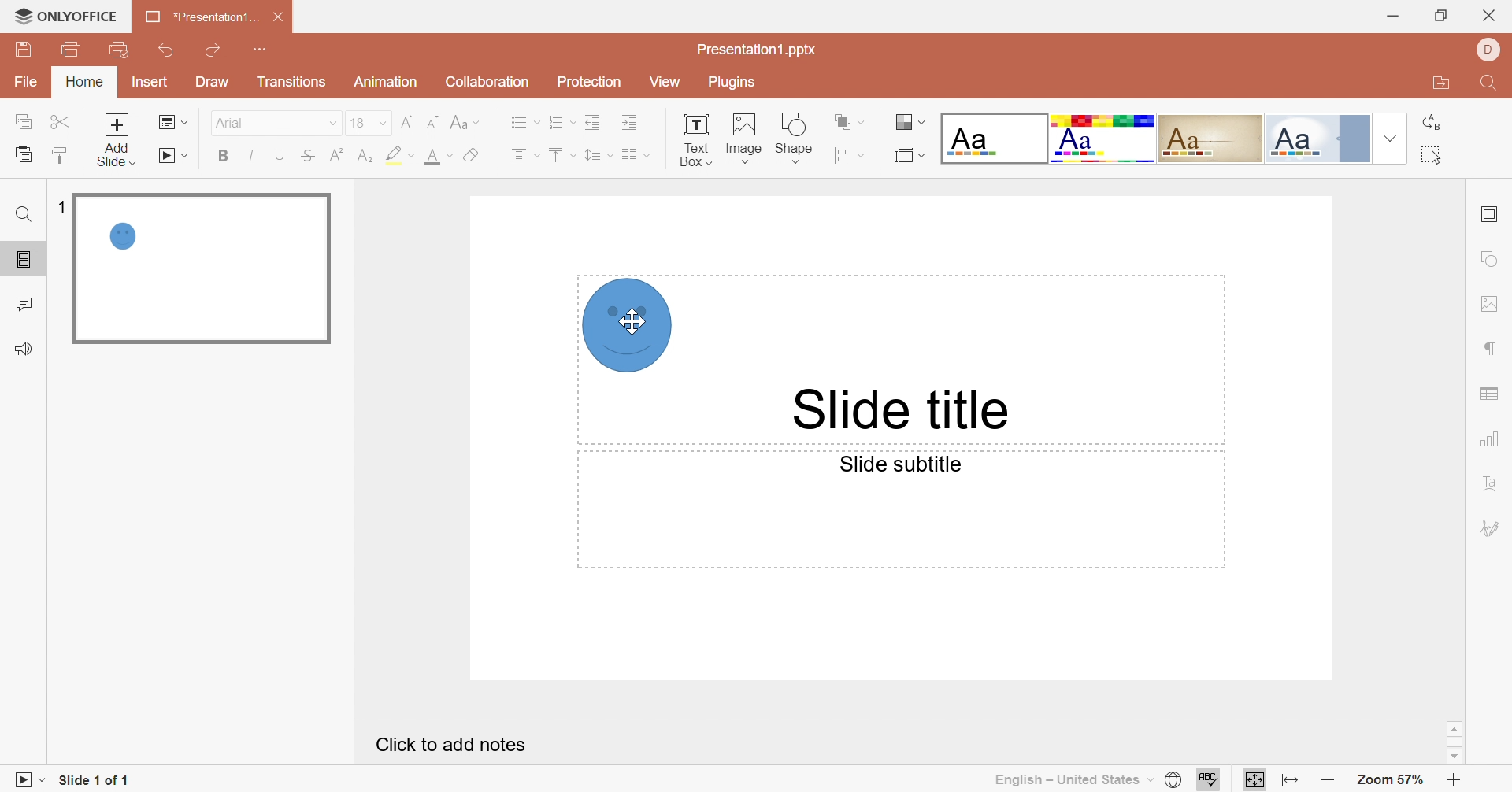 The height and width of the screenshot is (792, 1512). Describe the element at coordinates (1388, 779) in the screenshot. I see `Zoom 57%` at that location.